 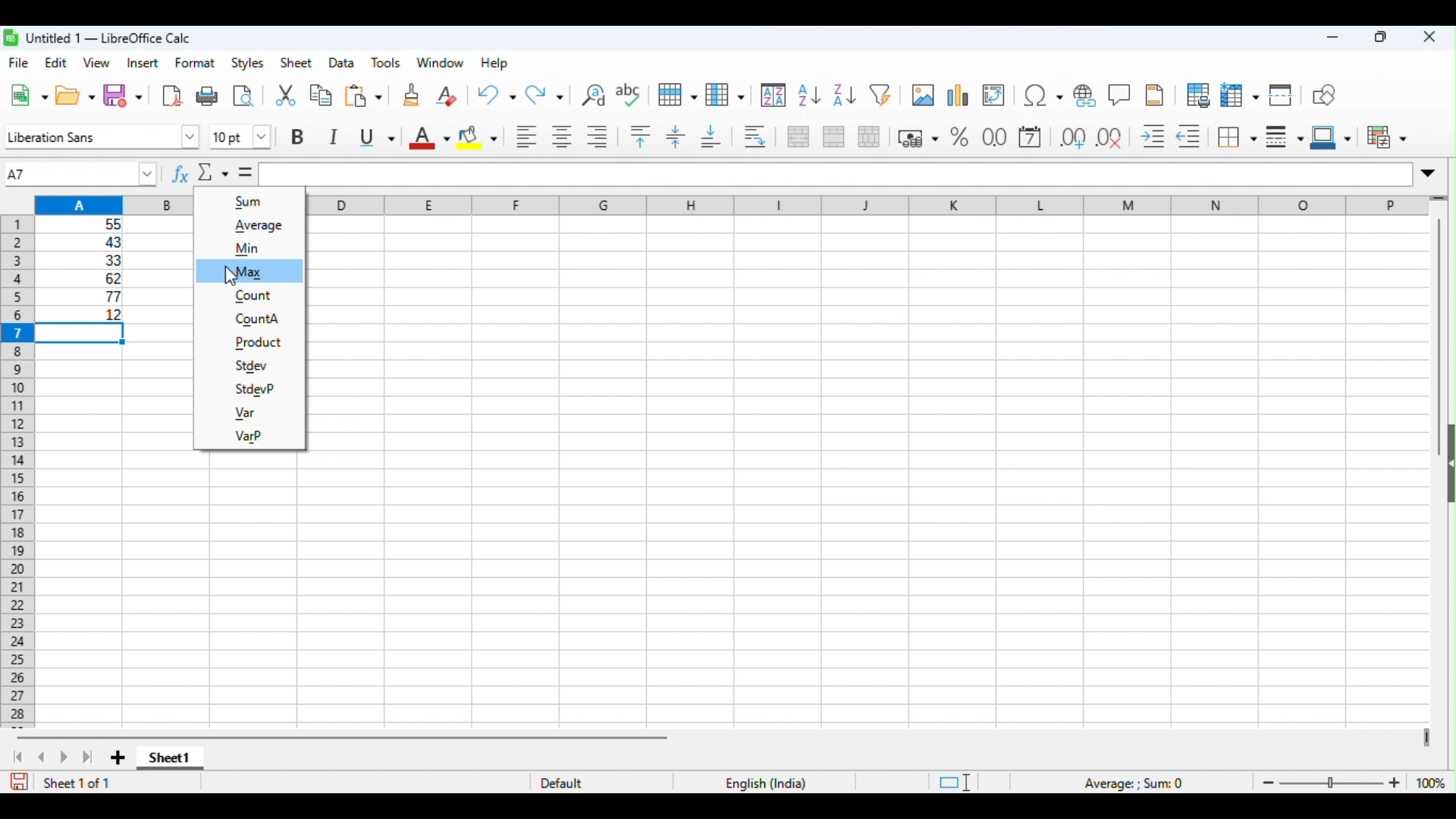 I want to click on close, so click(x=1427, y=37).